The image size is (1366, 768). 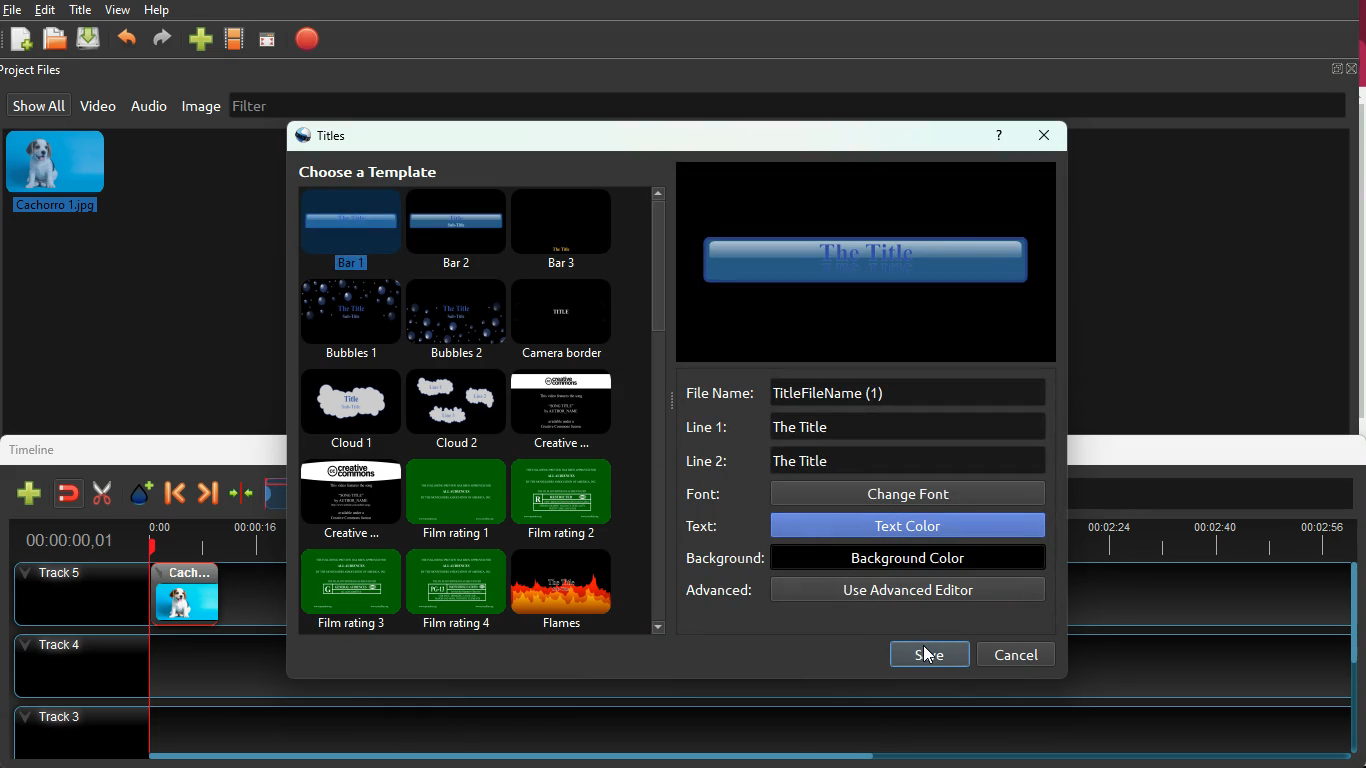 What do you see at coordinates (118, 9) in the screenshot?
I see `view` at bounding box center [118, 9].